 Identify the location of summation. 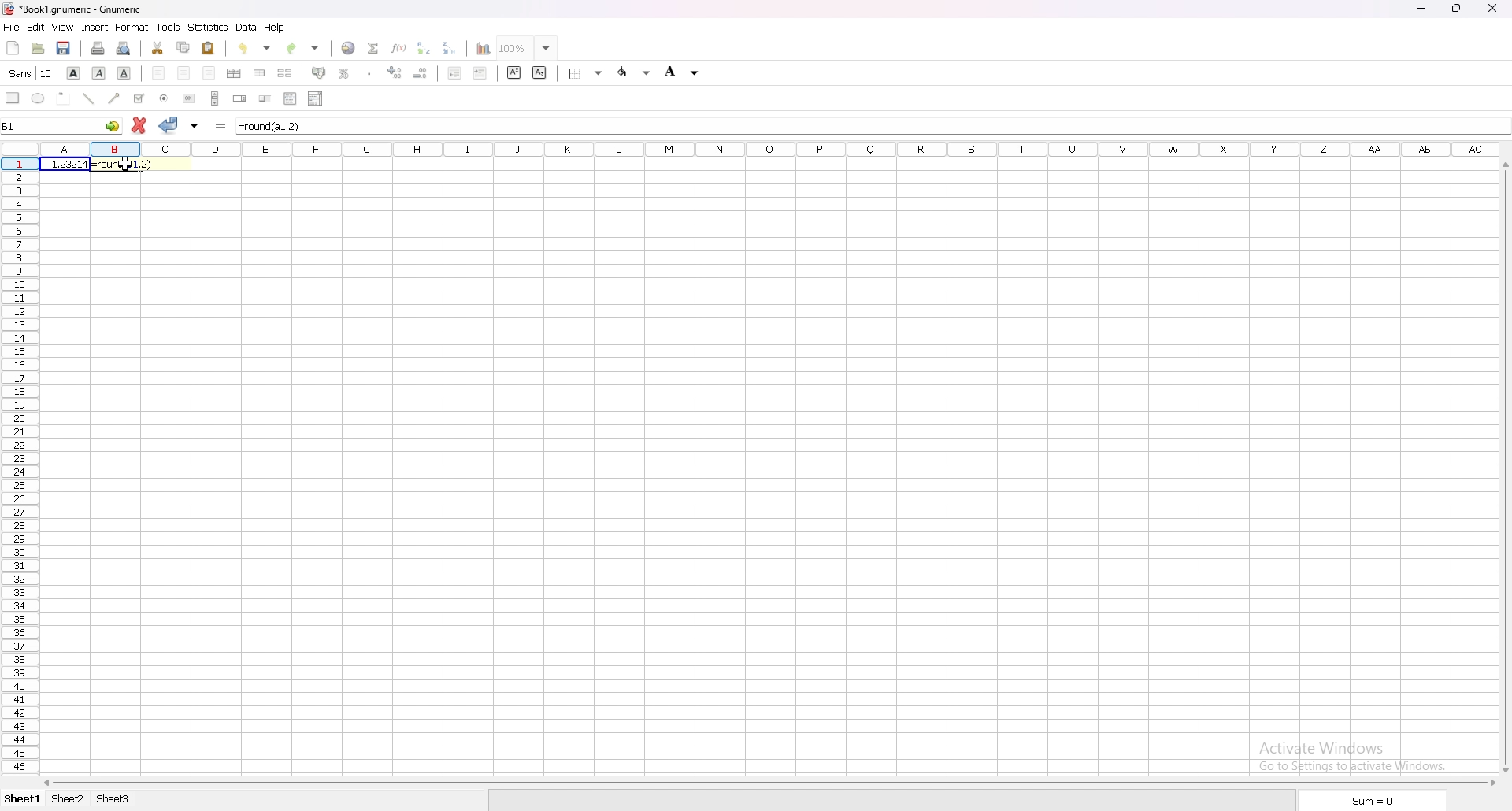
(373, 48).